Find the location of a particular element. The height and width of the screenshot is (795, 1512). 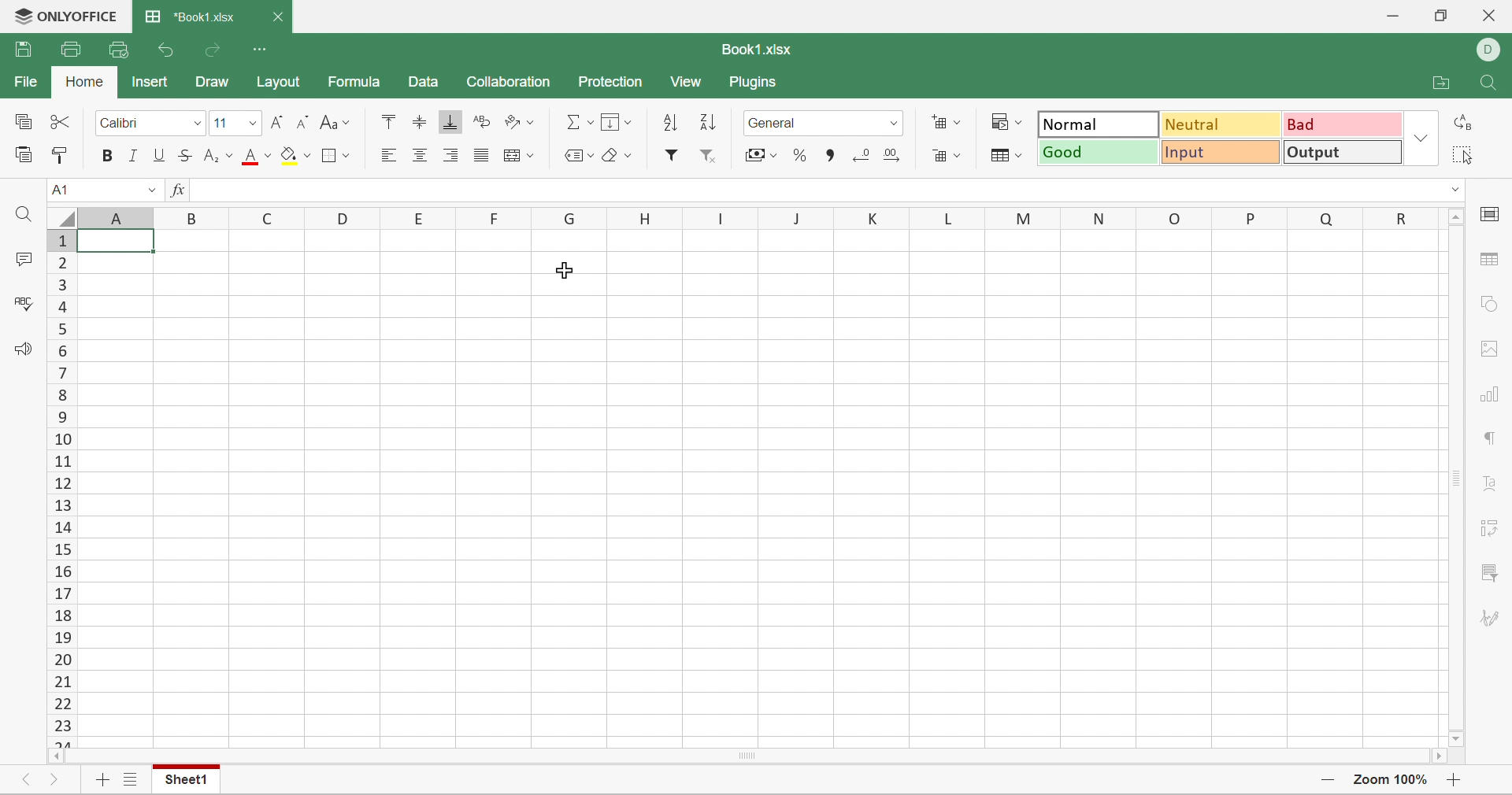

Zoom out is located at coordinates (1326, 780).